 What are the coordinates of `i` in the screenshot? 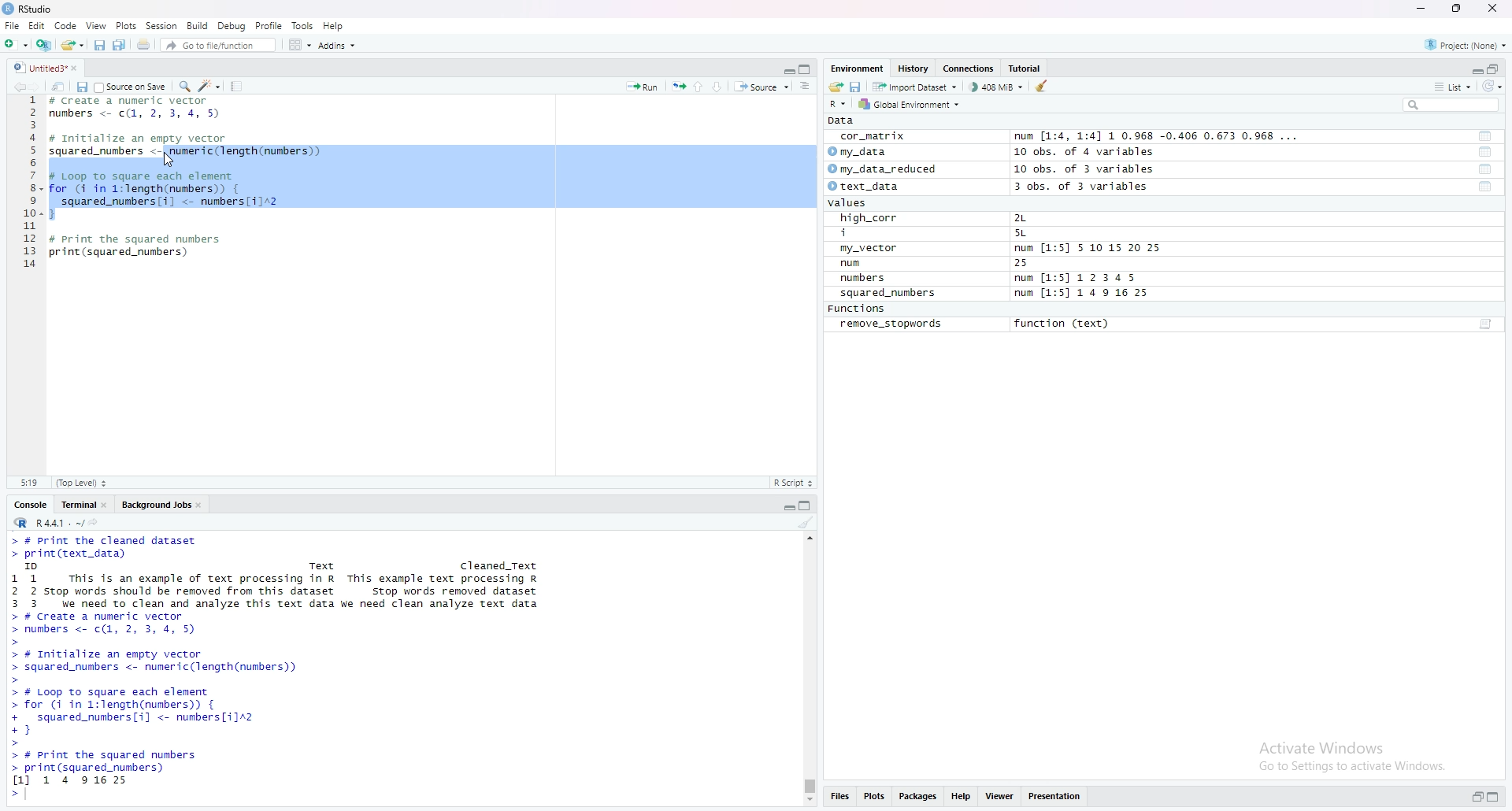 It's located at (872, 234).